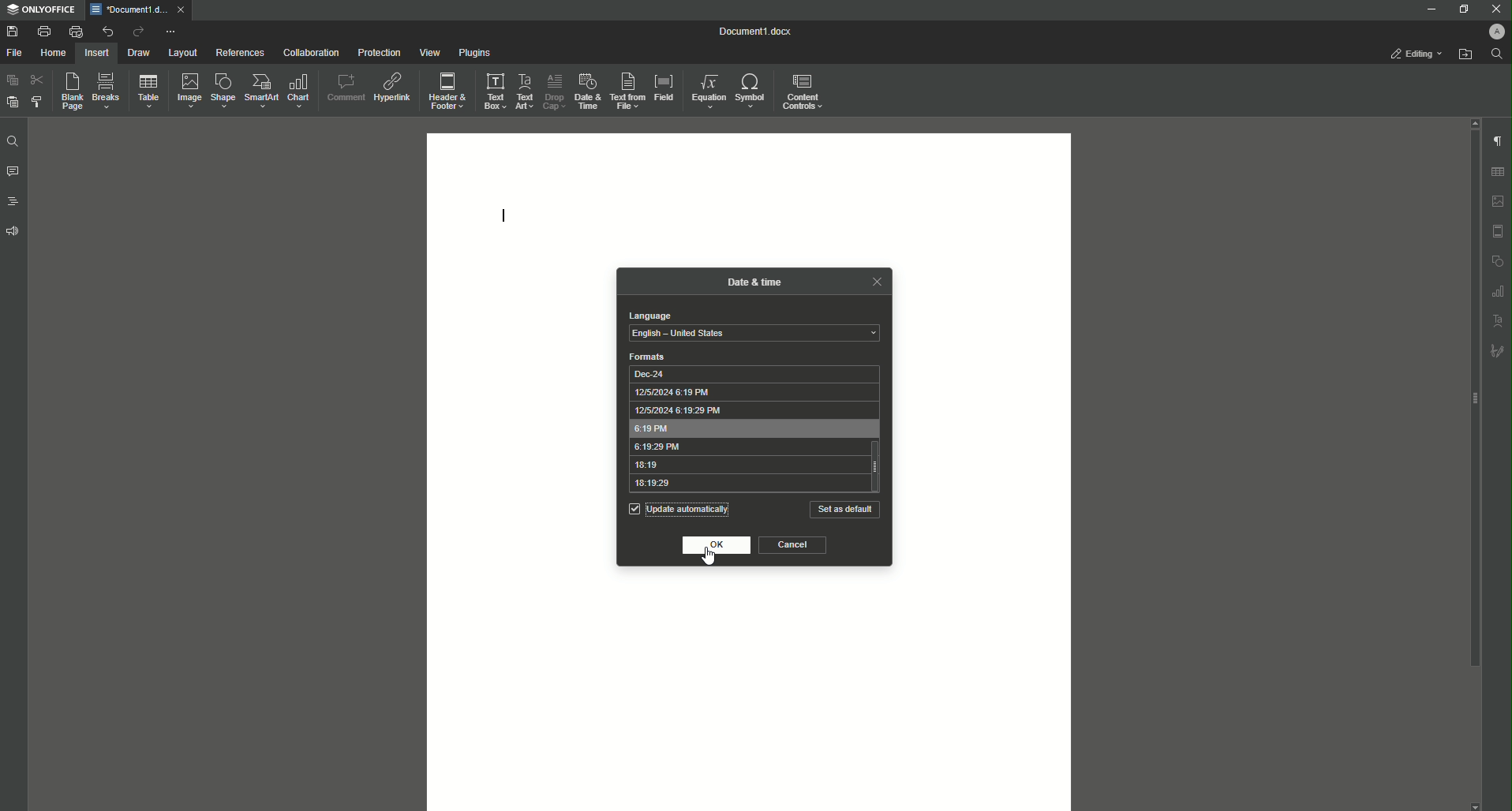 This screenshot has height=811, width=1512. I want to click on Document1.docx, so click(757, 32).